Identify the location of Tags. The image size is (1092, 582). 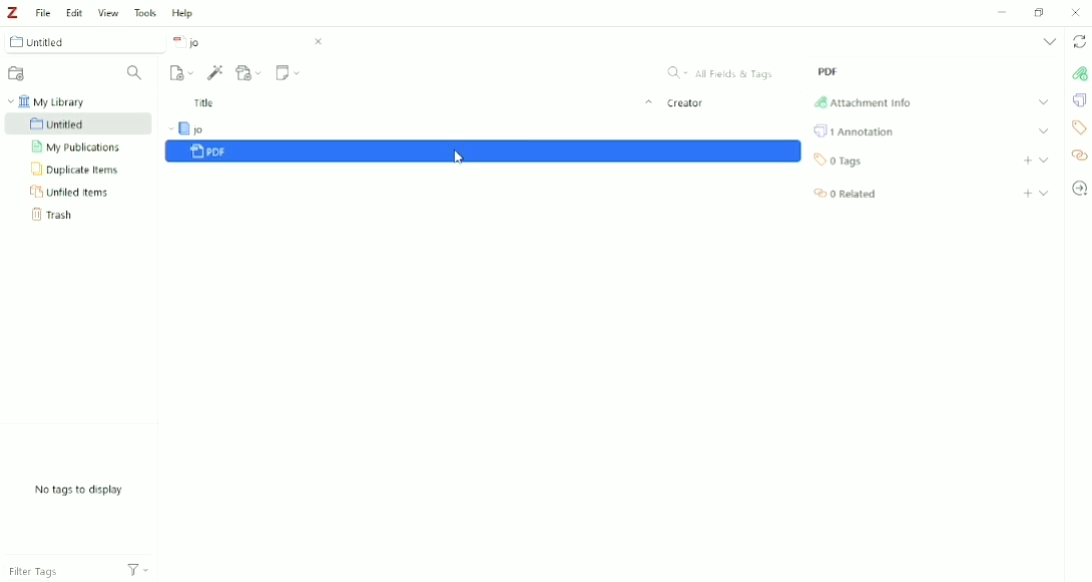
(838, 161).